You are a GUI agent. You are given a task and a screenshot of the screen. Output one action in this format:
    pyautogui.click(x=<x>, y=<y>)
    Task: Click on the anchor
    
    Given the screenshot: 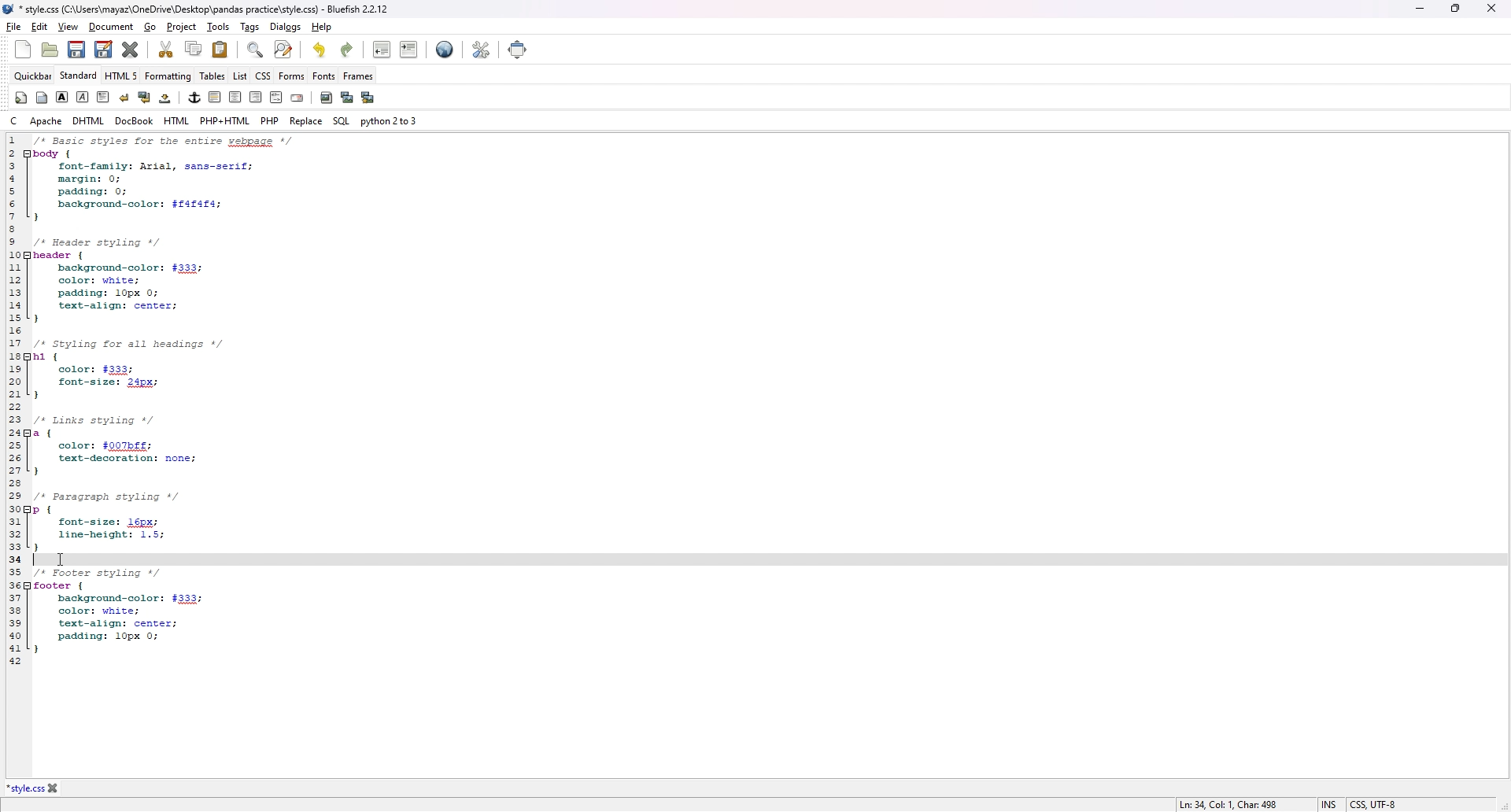 What is the action you would take?
    pyautogui.click(x=195, y=98)
    